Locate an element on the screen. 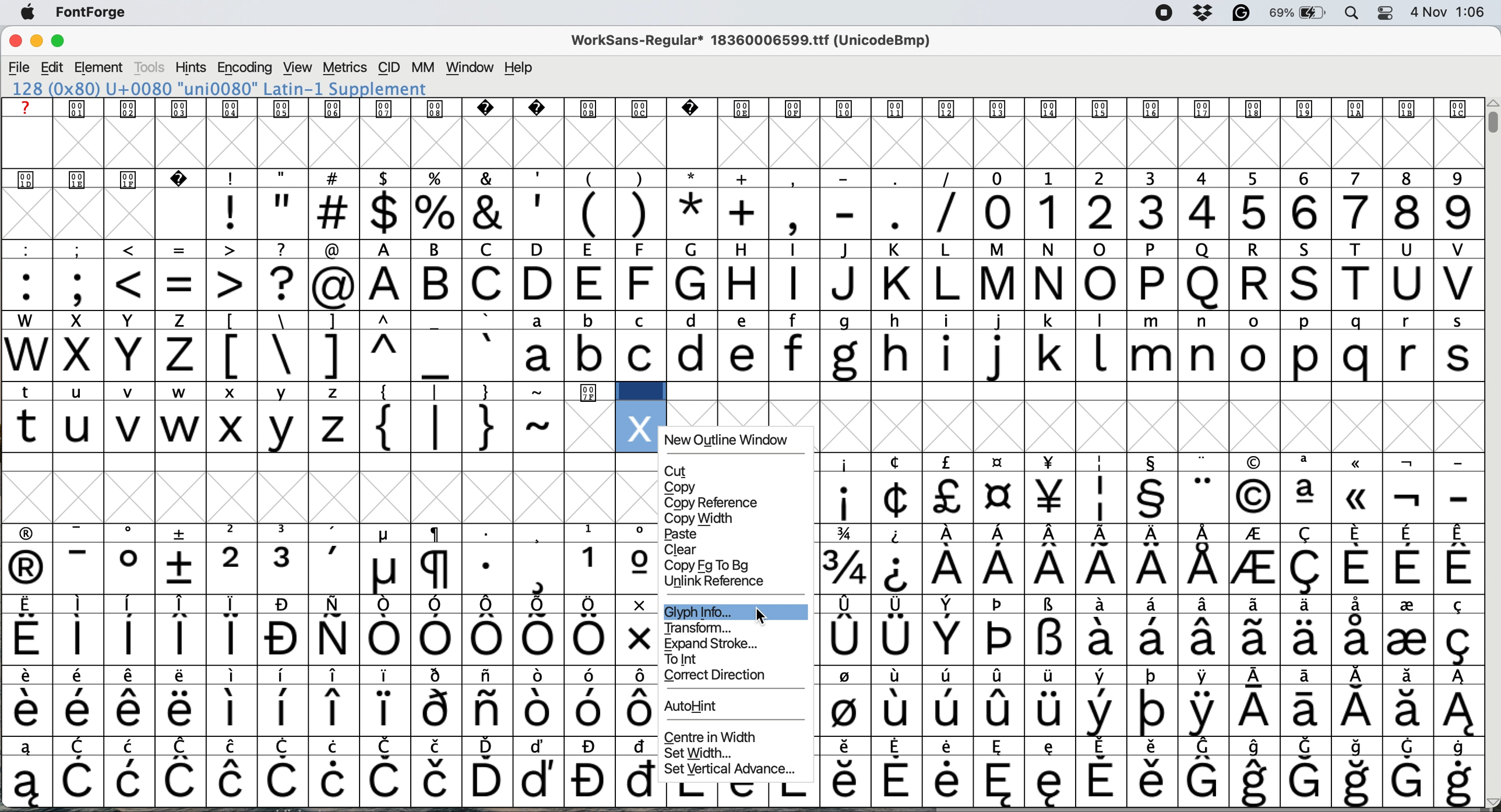 The width and height of the screenshot is (1501, 812). vertical scroll bar is located at coordinates (1490, 122).